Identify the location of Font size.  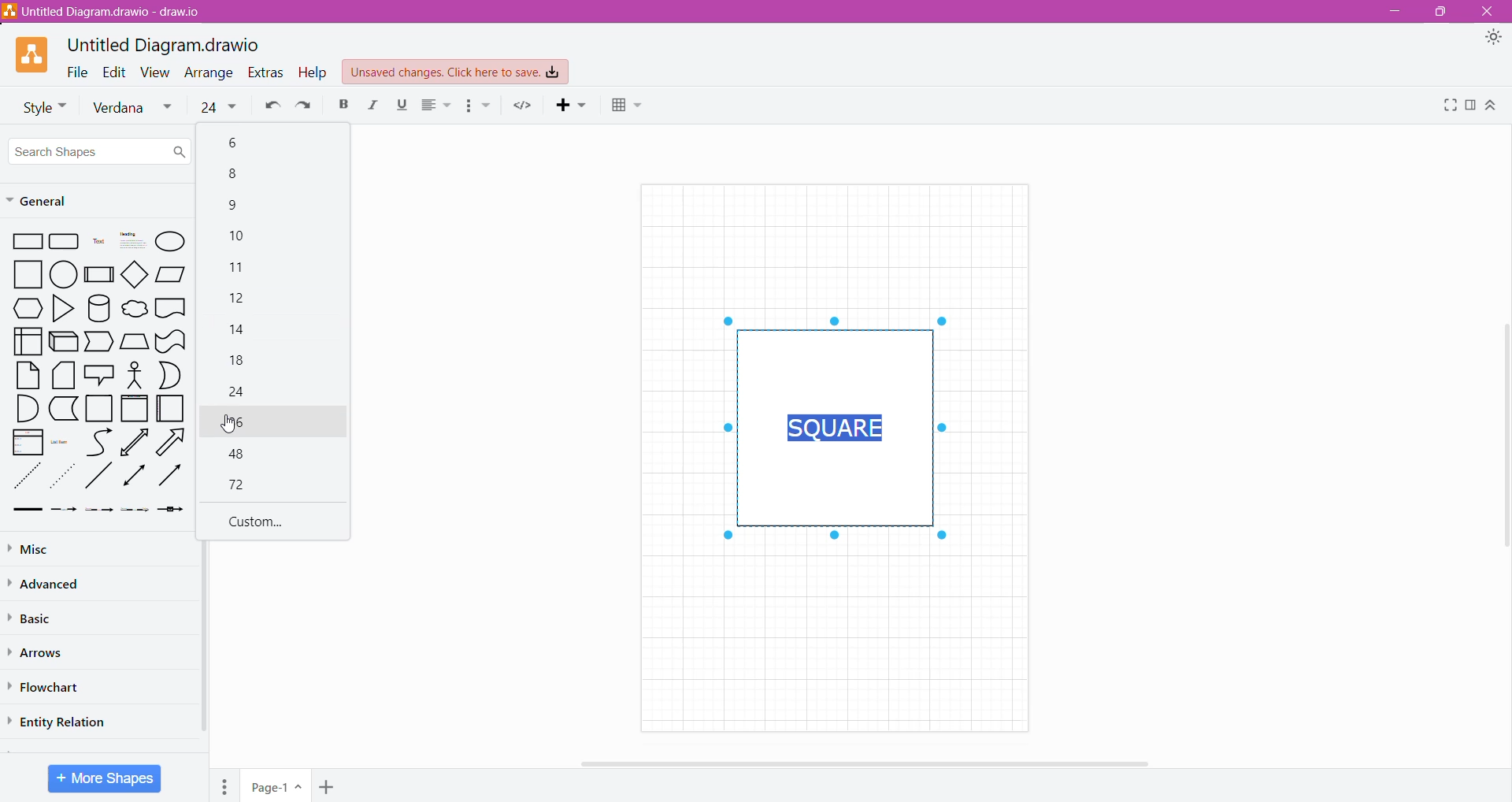
(218, 106).